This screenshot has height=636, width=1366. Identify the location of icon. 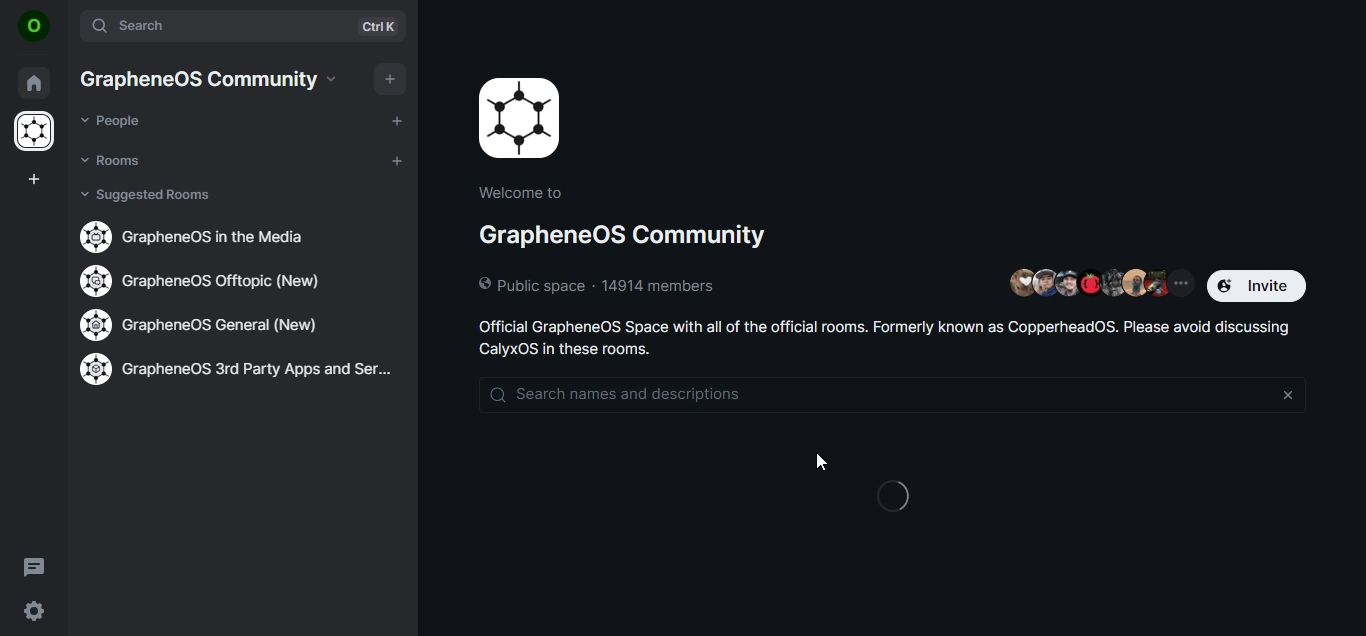
(525, 118).